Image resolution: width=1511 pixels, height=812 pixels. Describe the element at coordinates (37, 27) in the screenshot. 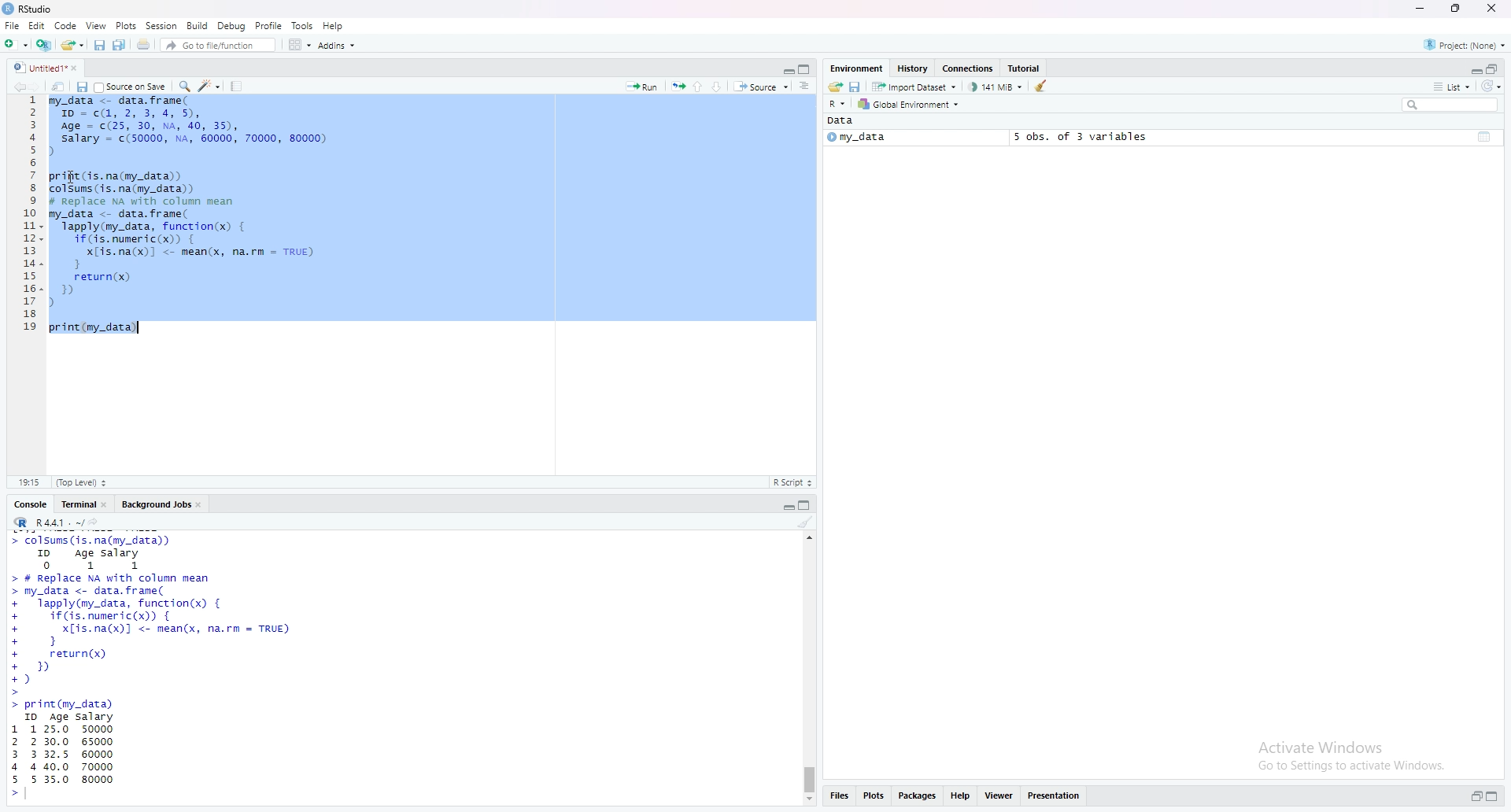

I see `Edit` at that location.